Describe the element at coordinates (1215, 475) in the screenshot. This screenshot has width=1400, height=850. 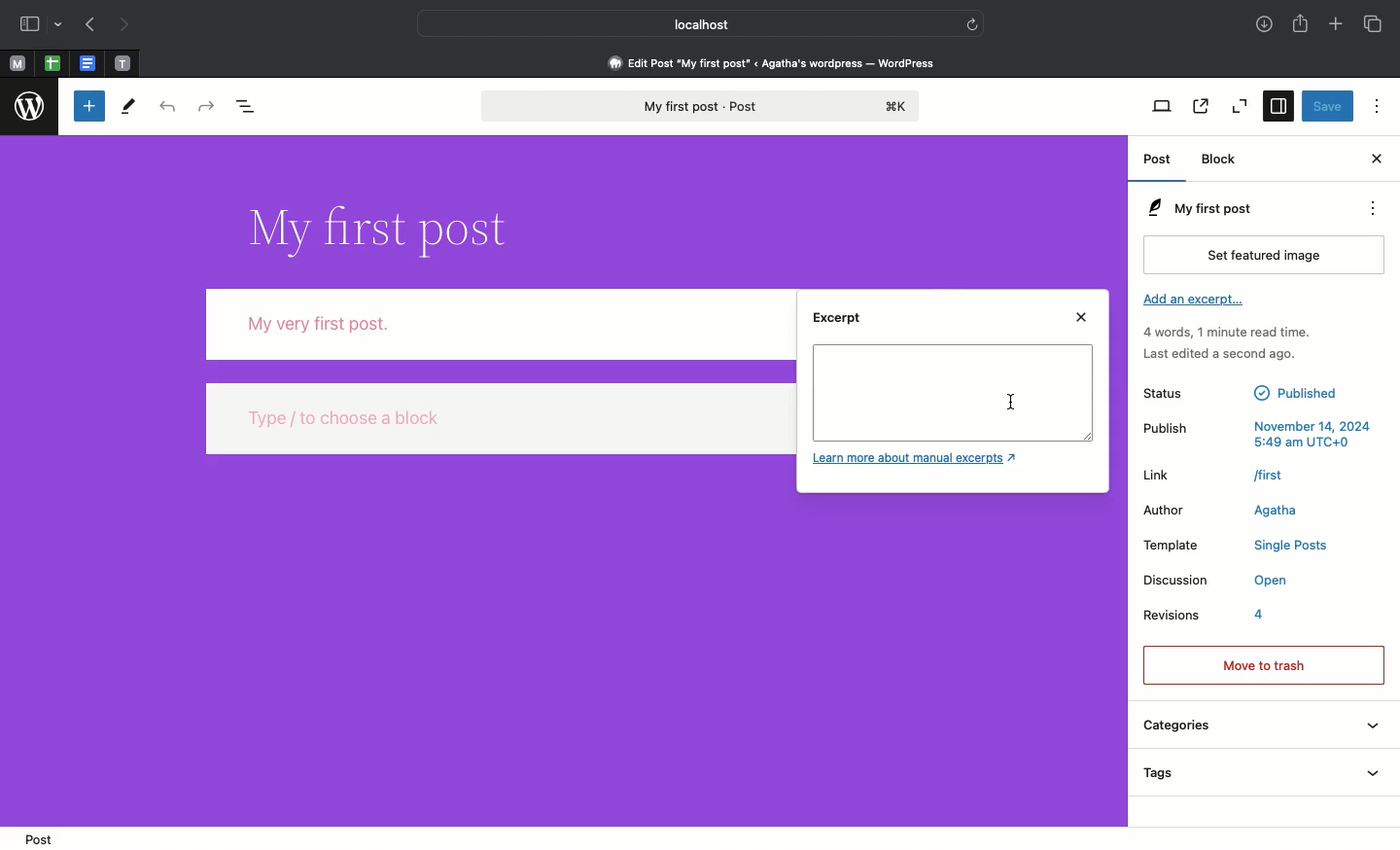
I see `Link` at that location.